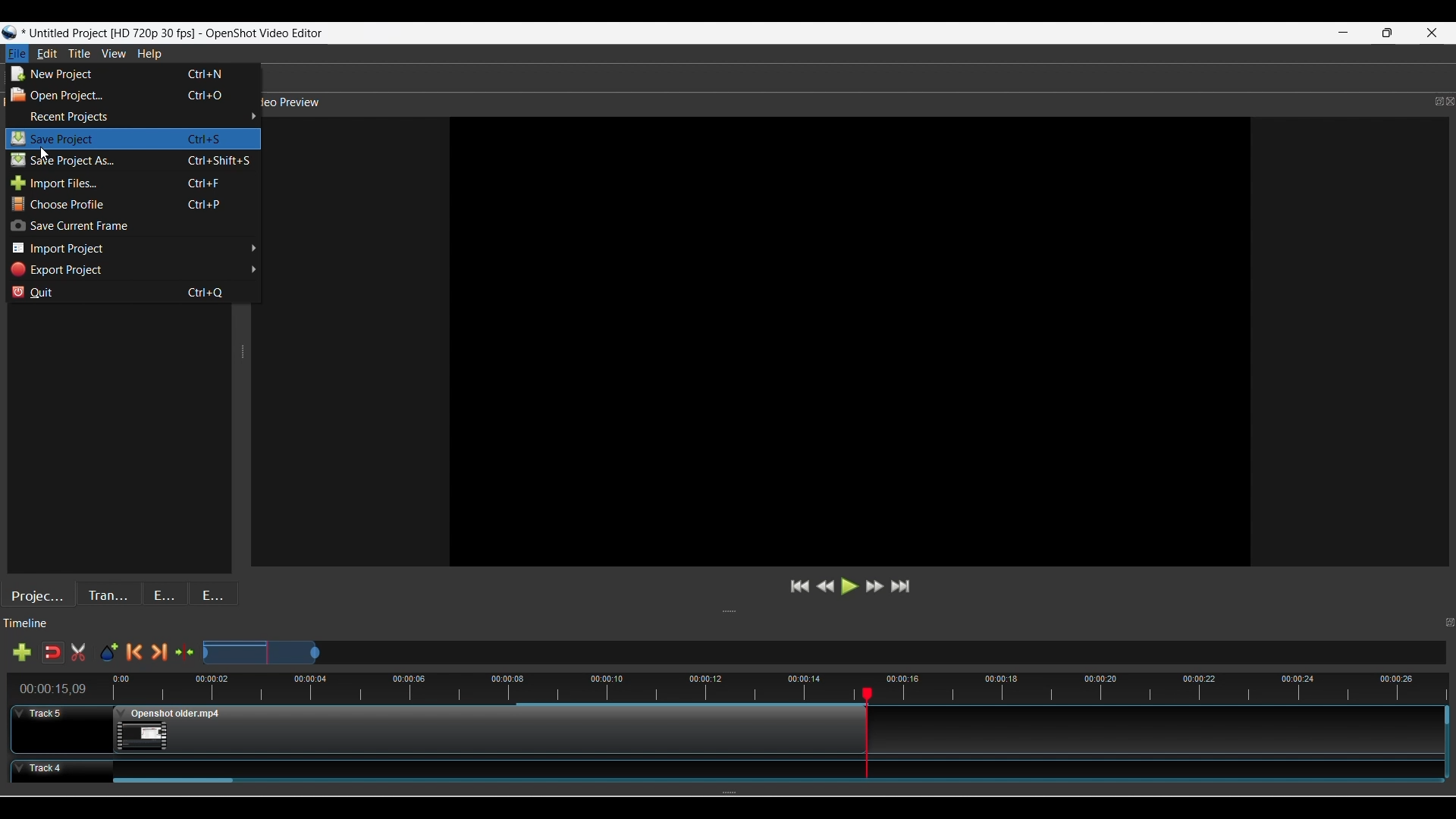 Image resolution: width=1456 pixels, height=819 pixels. I want to click on Jump to end, so click(900, 586).